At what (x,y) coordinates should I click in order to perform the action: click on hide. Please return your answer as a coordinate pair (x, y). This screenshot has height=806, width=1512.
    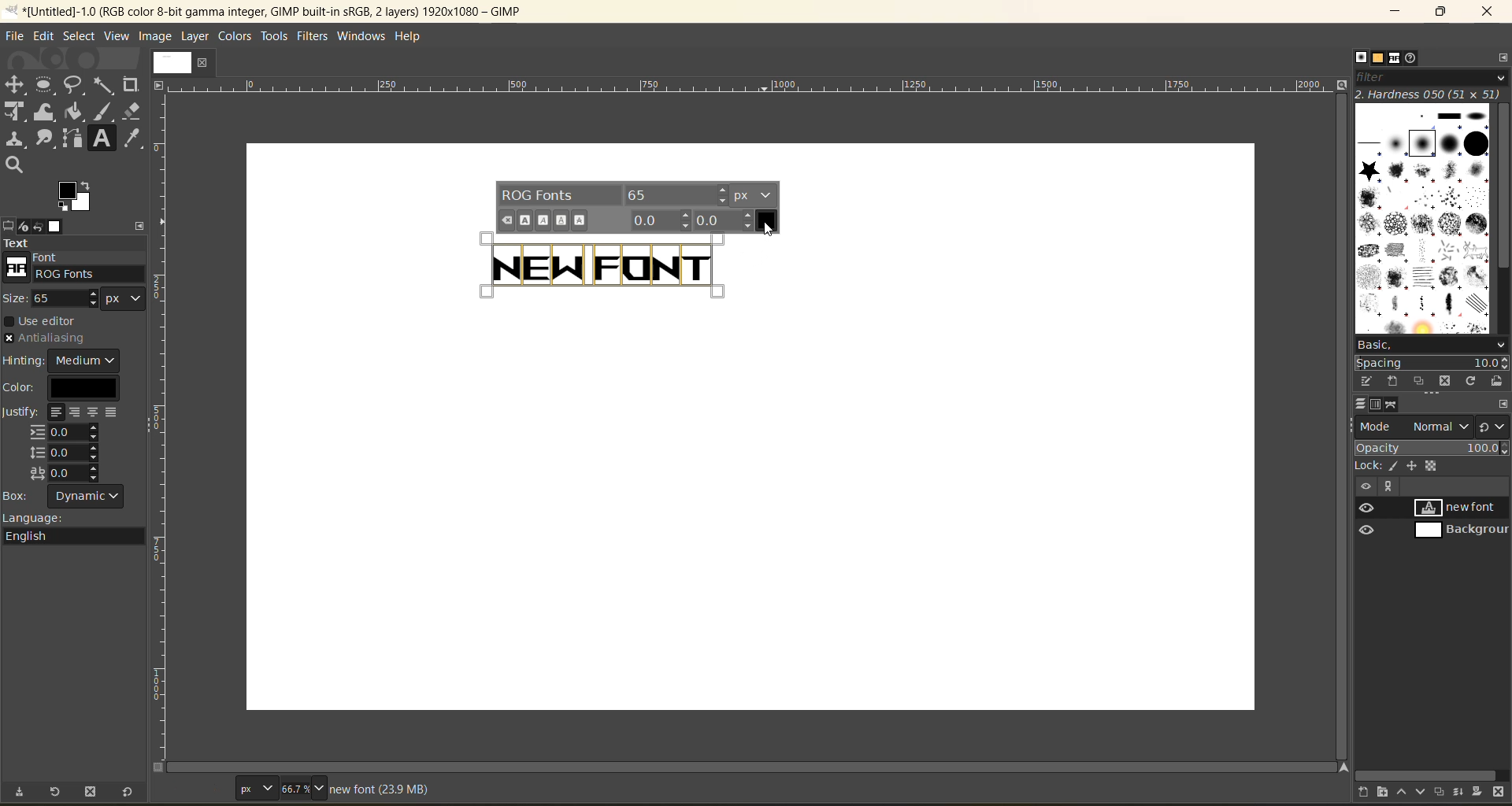
    Looking at the image, I should click on (1365, 486).